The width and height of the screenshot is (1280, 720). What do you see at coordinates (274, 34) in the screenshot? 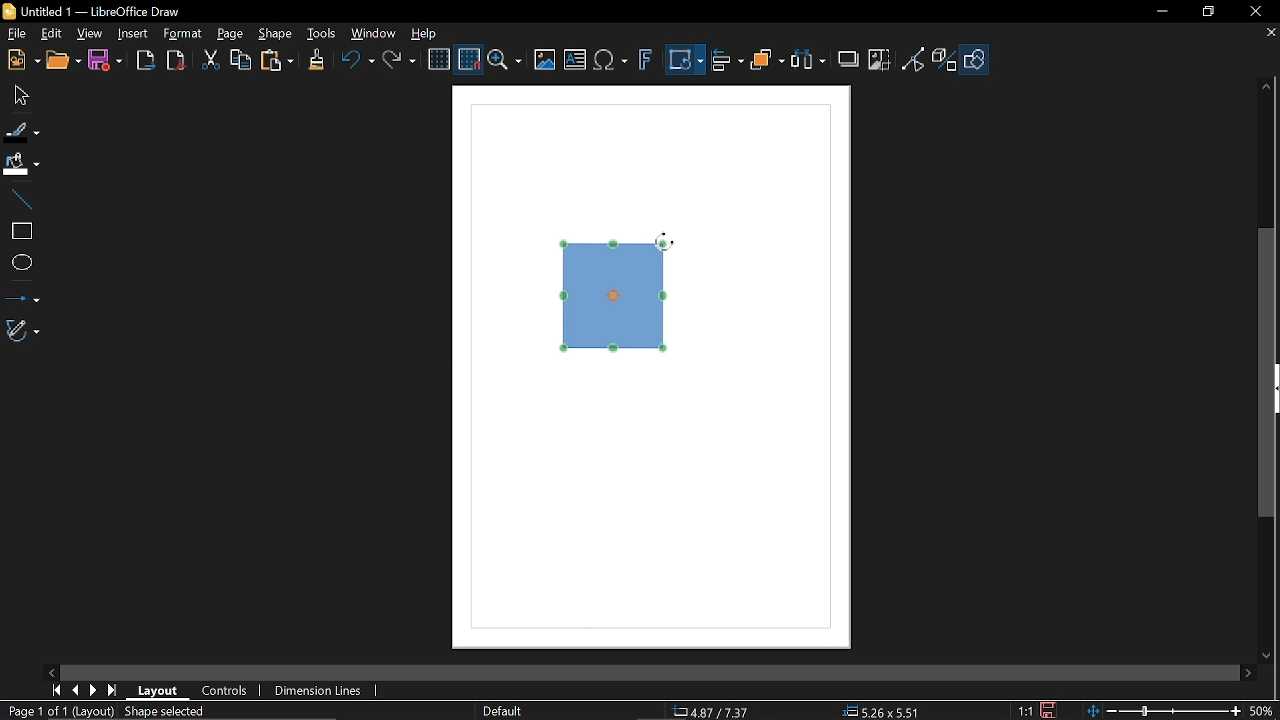
I see `Shape` at bounding box center [274, 34].